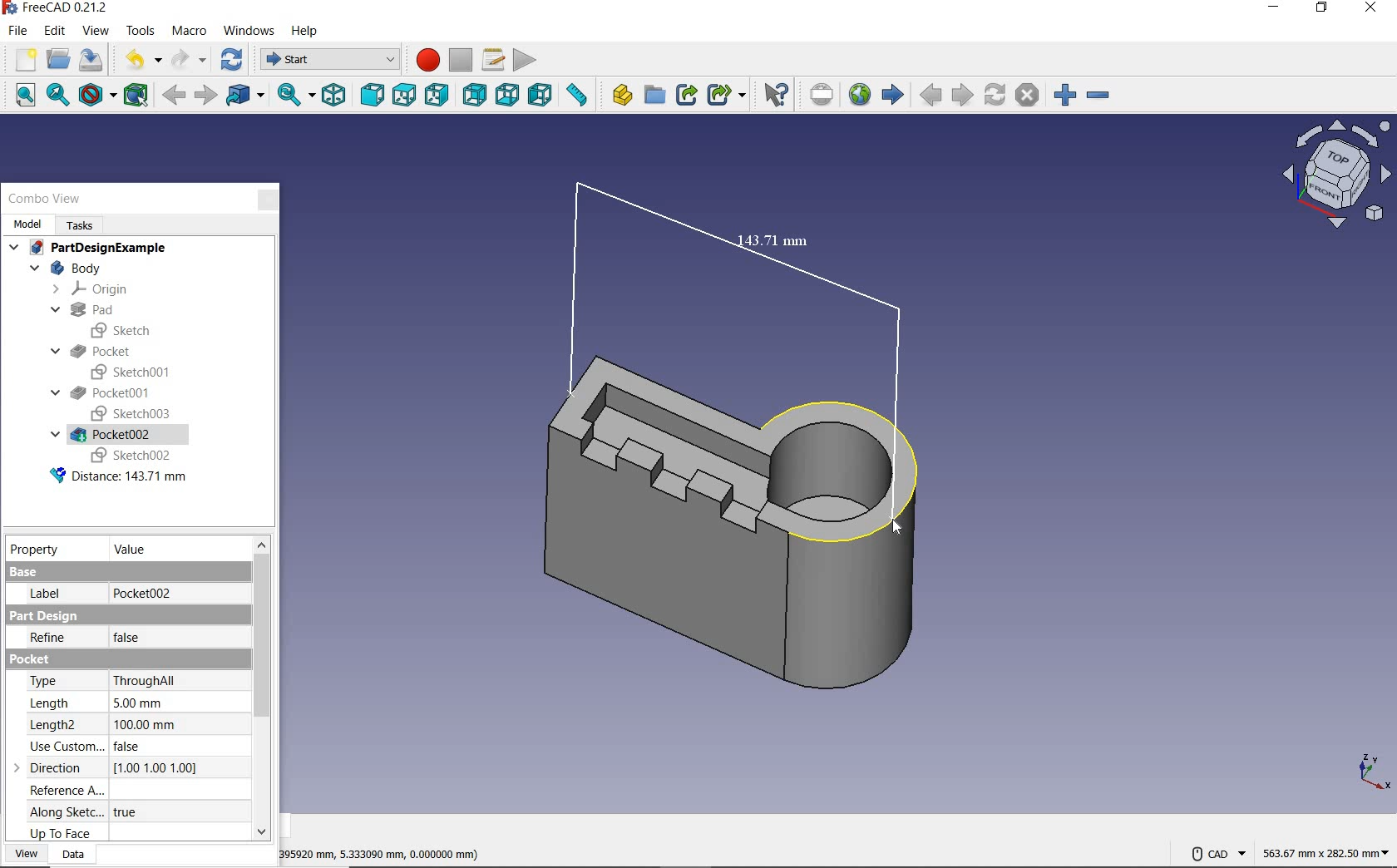  Describe the element at coordinates (266, 690) in the screenshot. I see `scrollbar` at that location.